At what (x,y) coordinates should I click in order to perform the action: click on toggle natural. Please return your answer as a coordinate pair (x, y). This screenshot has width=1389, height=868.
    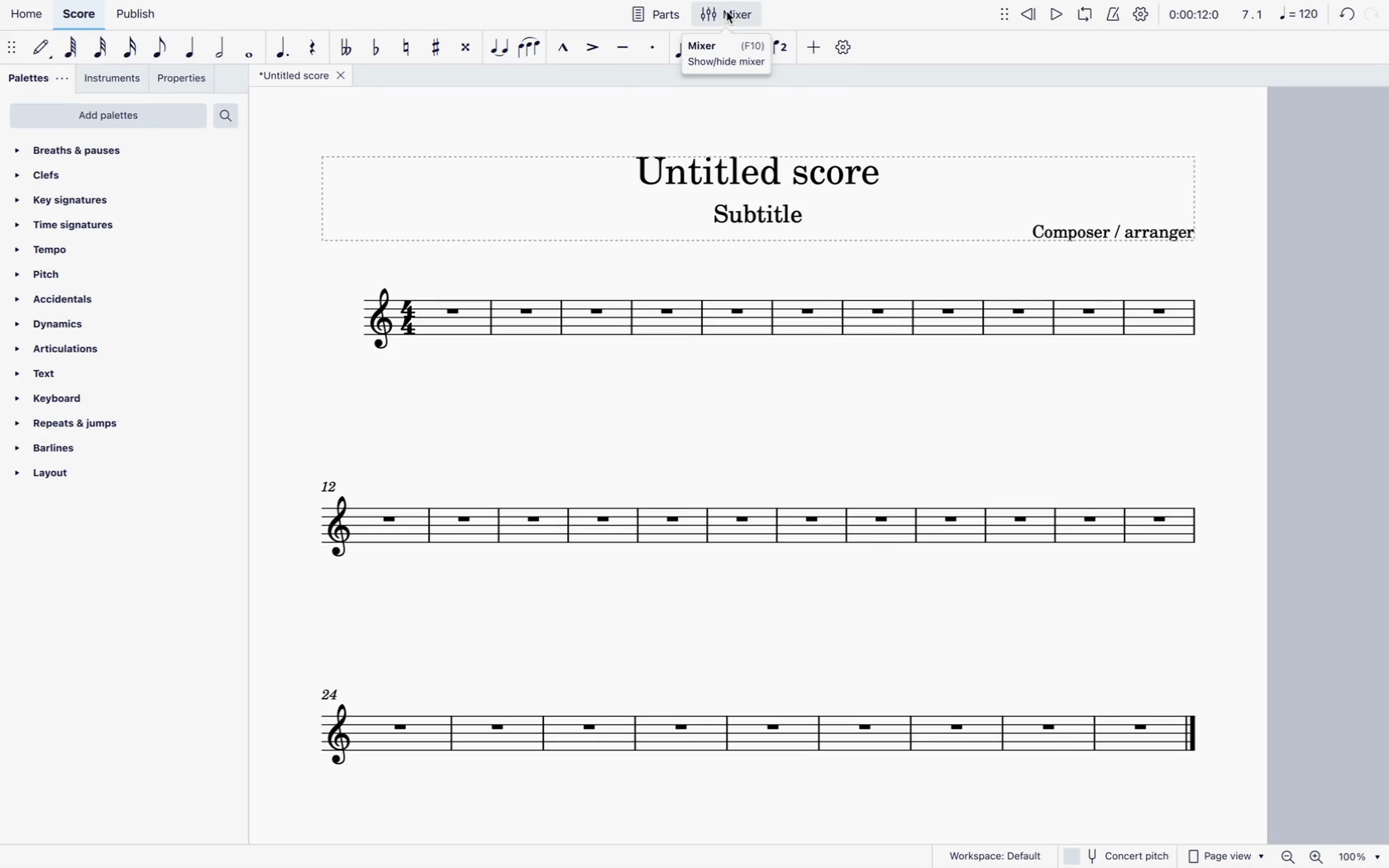
    Looking at the image, I should click on (408, 46).